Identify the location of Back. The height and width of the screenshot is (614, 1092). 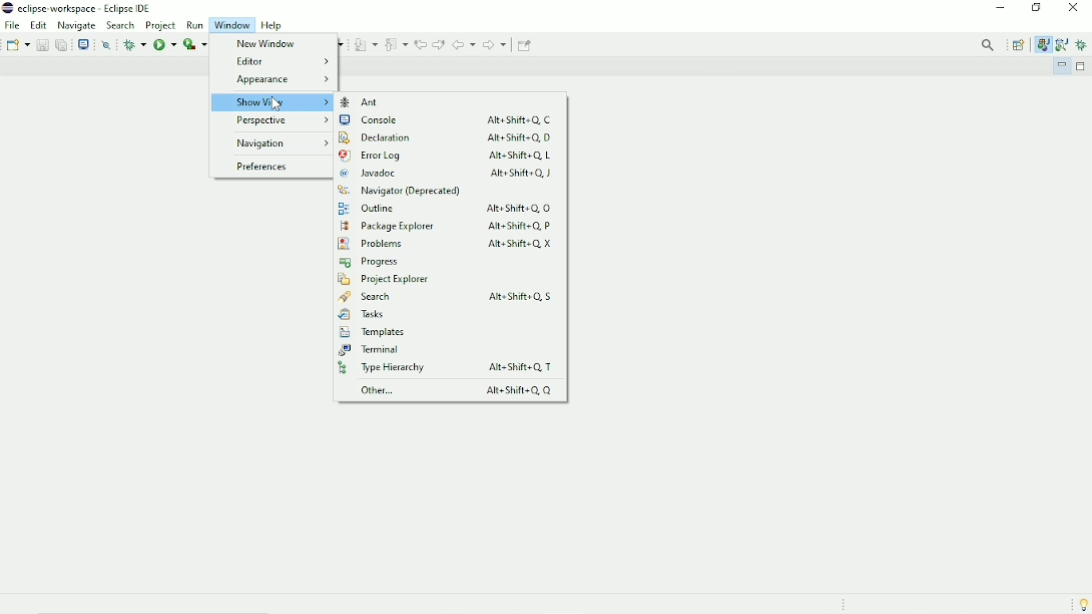
(464, 45).